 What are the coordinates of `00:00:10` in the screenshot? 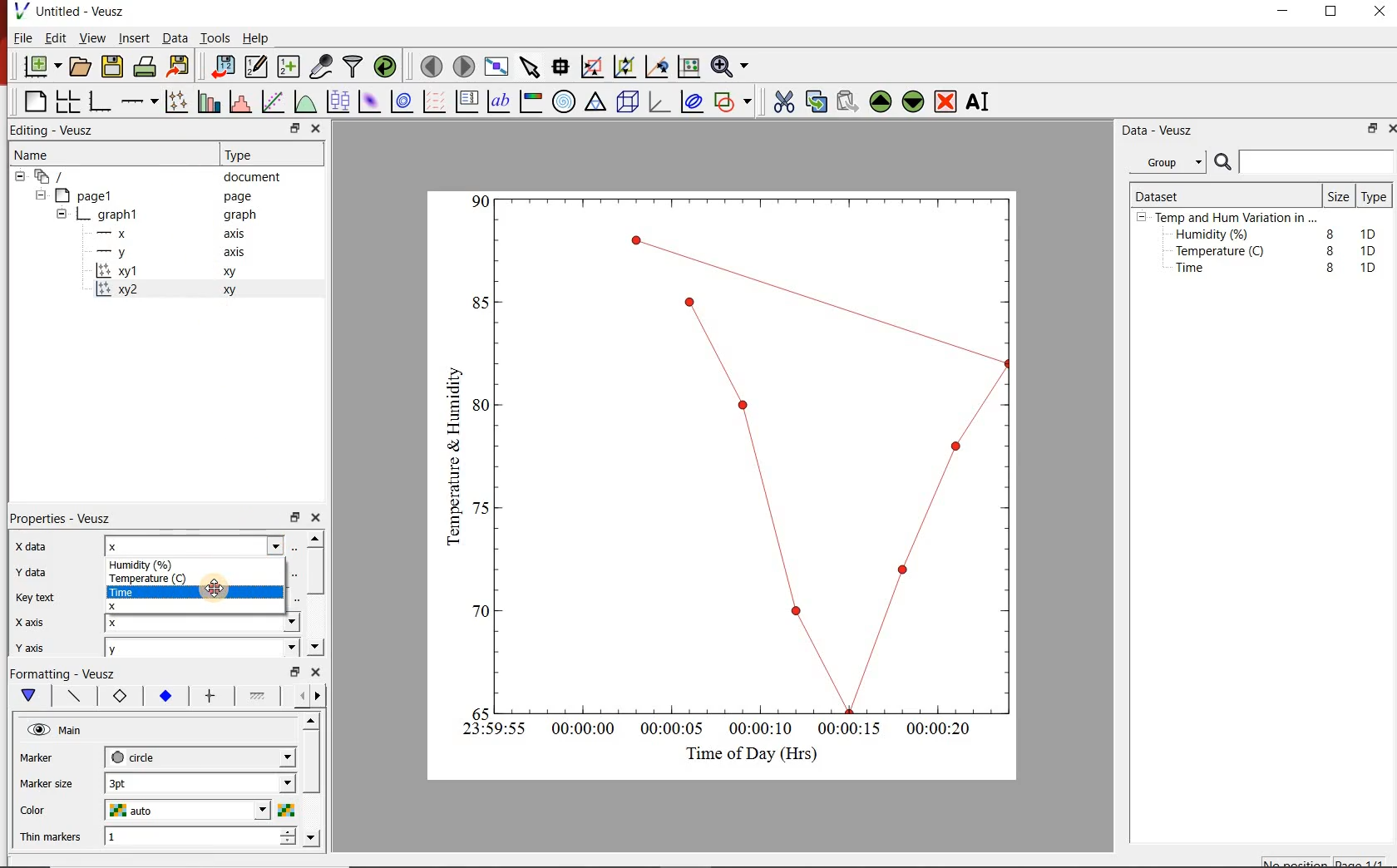 It's located at (759, 727).